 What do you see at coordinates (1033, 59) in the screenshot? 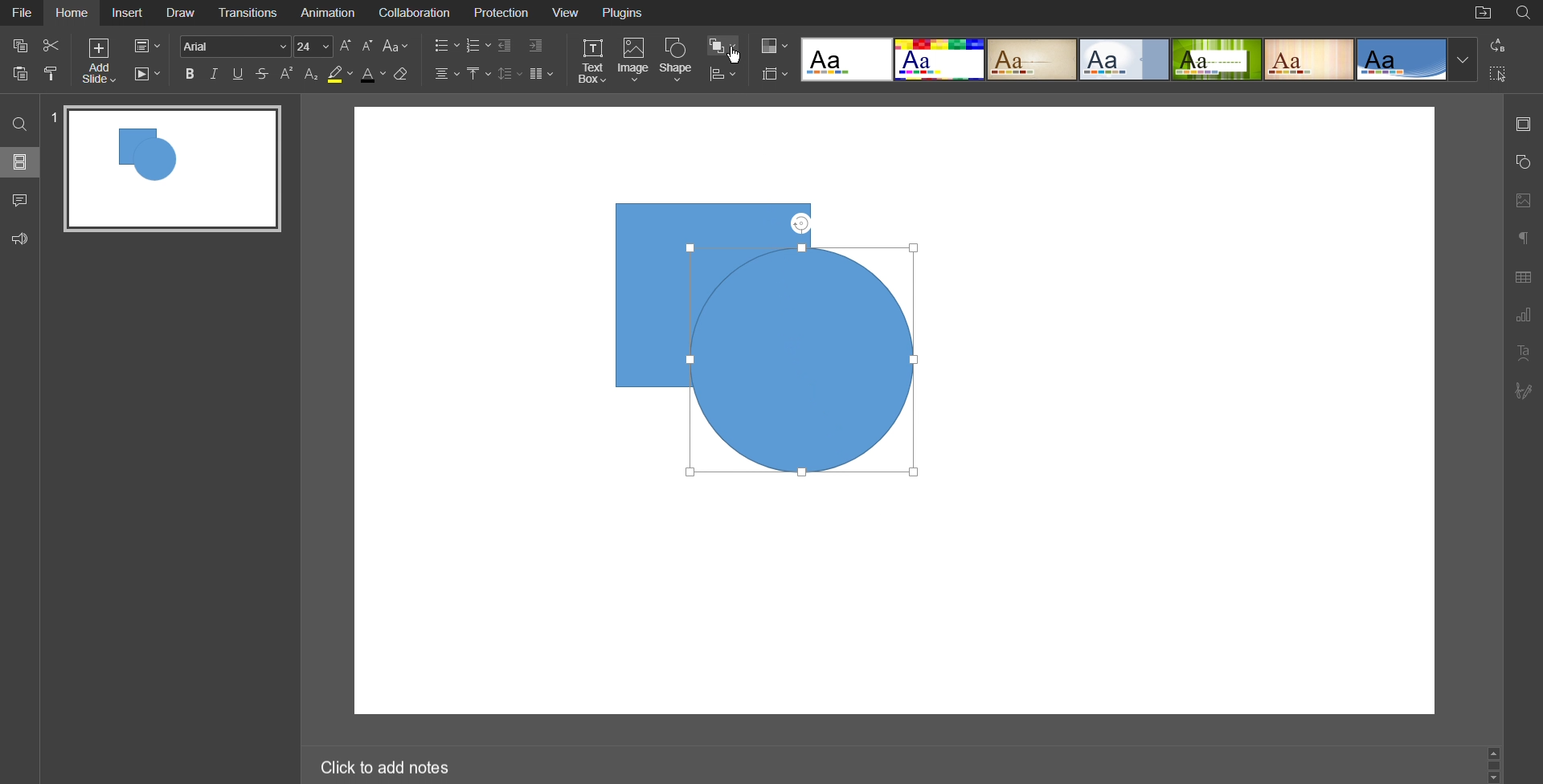
I see `Classic` at bounding box center [1033, 59].